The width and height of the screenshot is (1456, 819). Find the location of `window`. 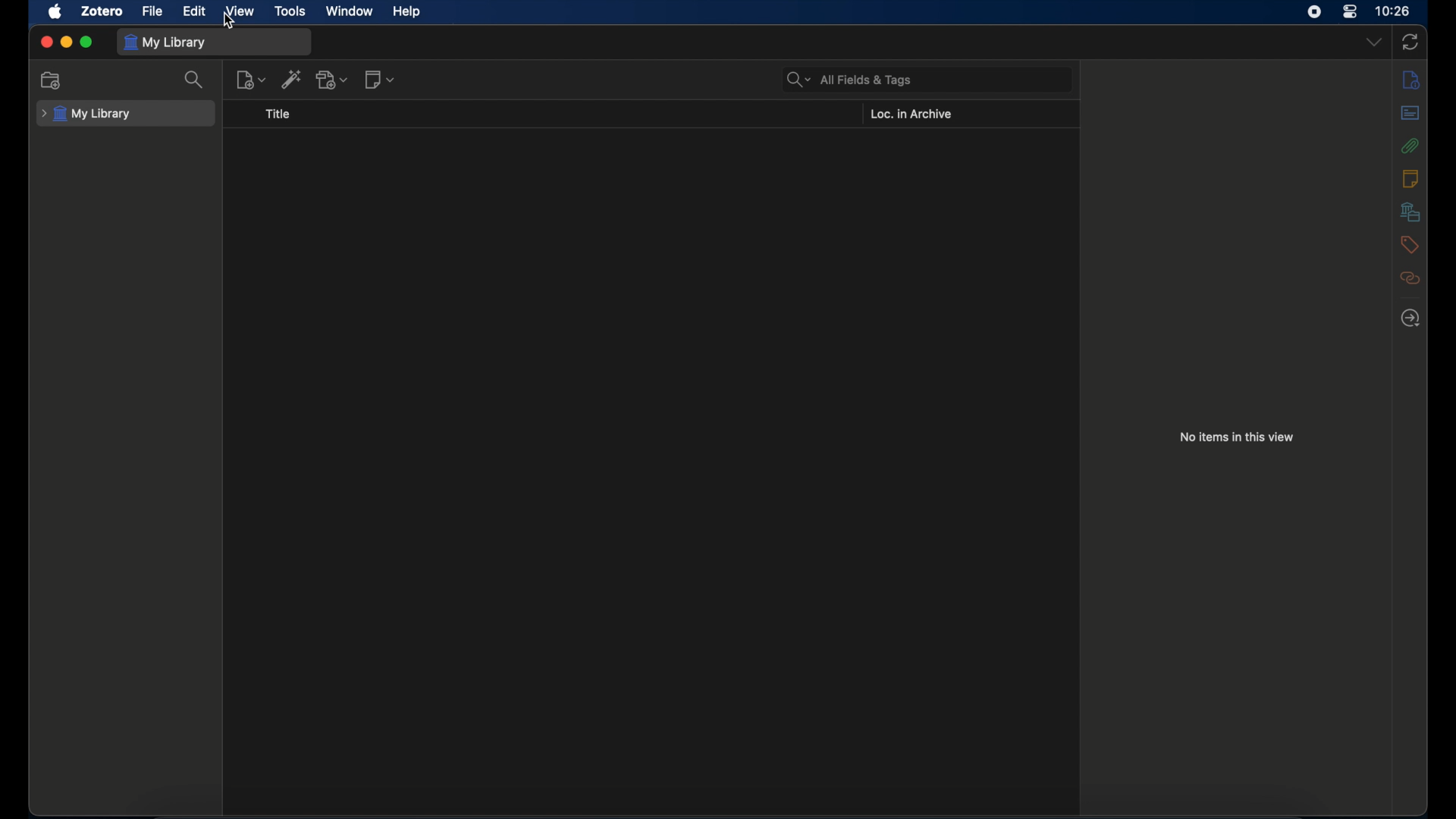

window is located at coordinates (350, 11).